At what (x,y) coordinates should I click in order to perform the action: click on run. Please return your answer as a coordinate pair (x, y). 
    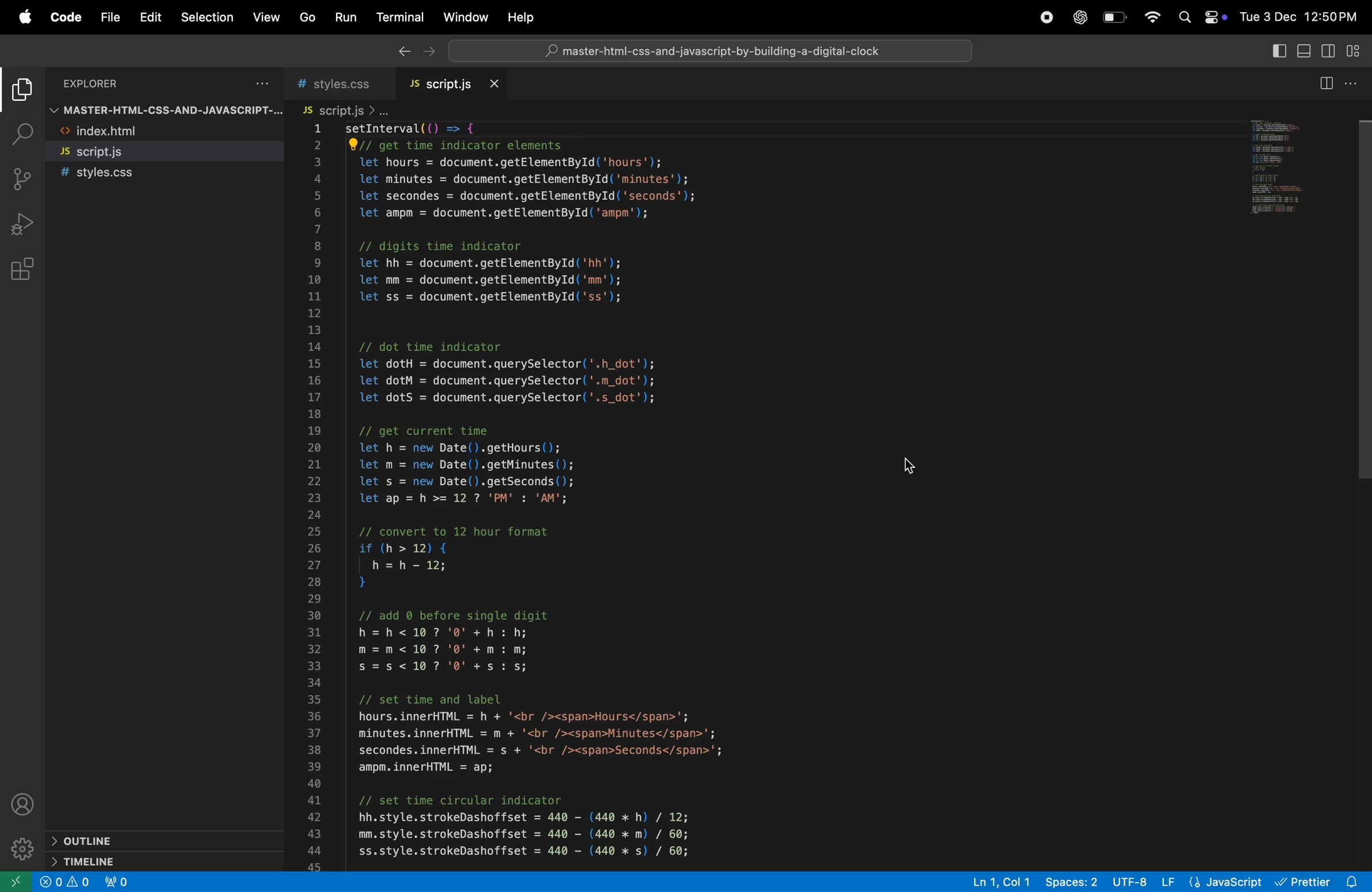
    Looking at the image, I should click on (344, 17).